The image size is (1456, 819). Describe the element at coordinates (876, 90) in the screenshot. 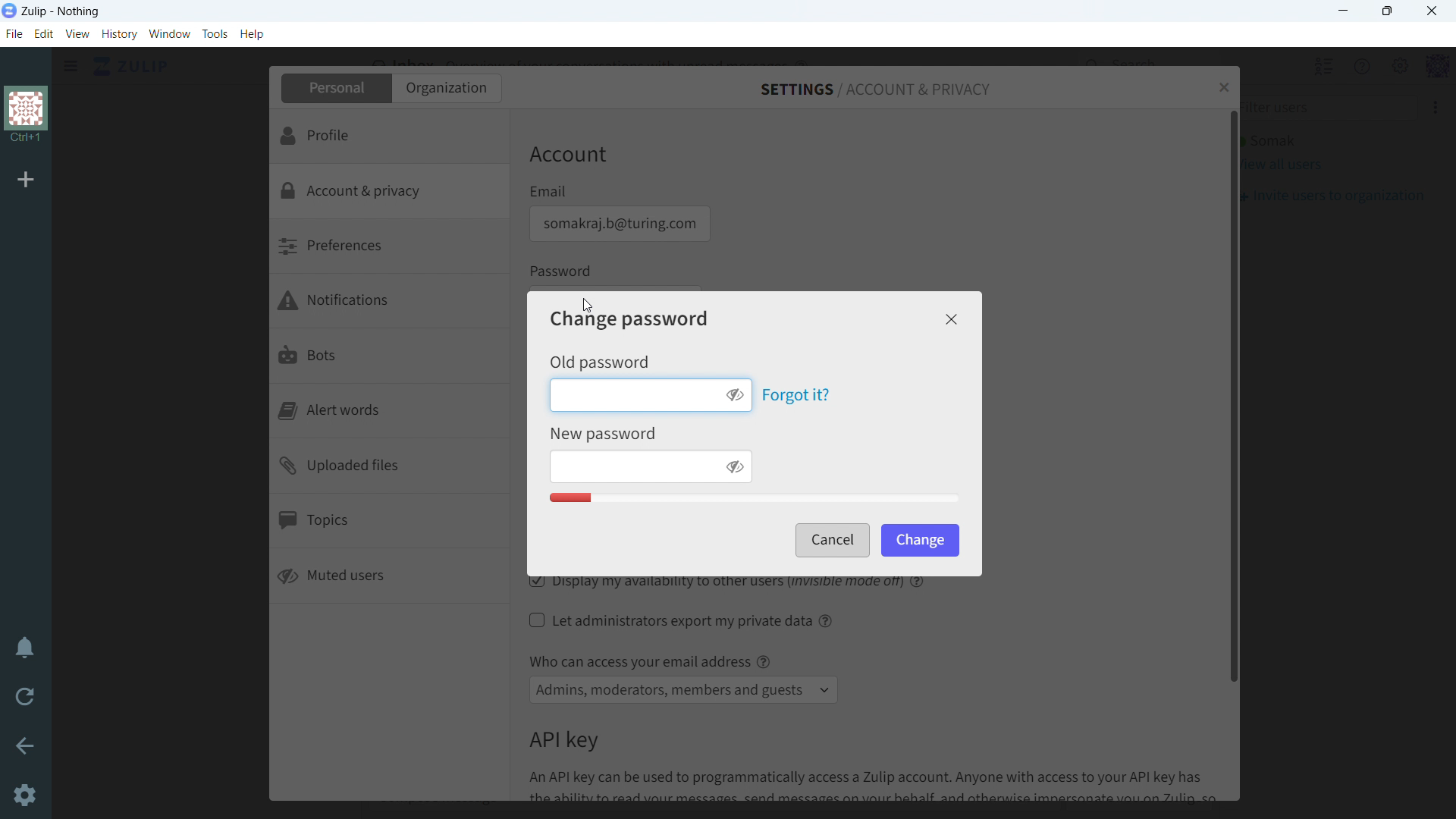

I see `settings/account & privacy` at that location.